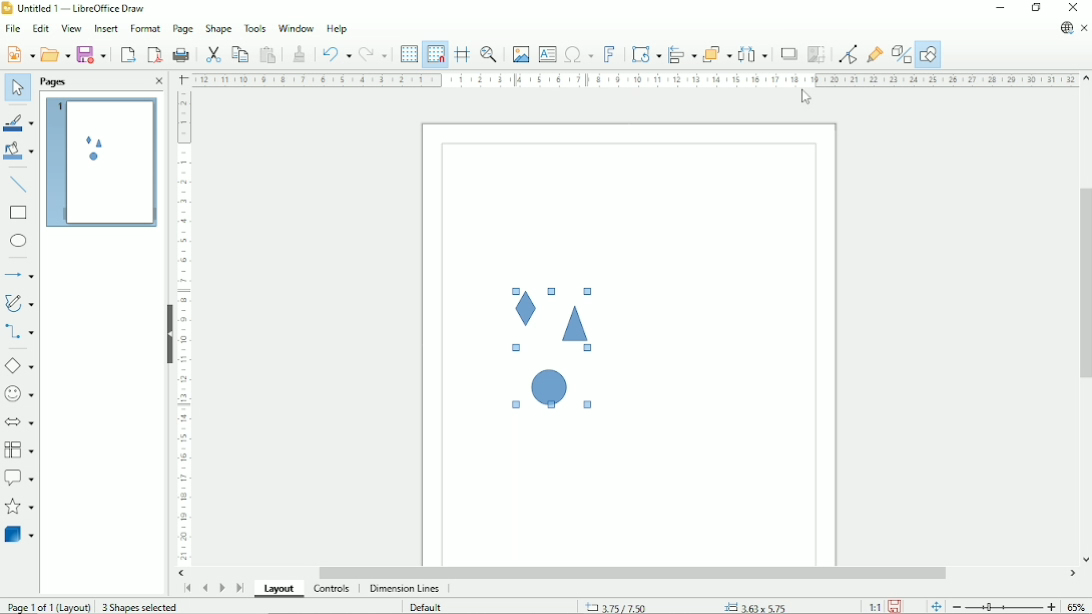  I want to click on Print, so click(182, 53).